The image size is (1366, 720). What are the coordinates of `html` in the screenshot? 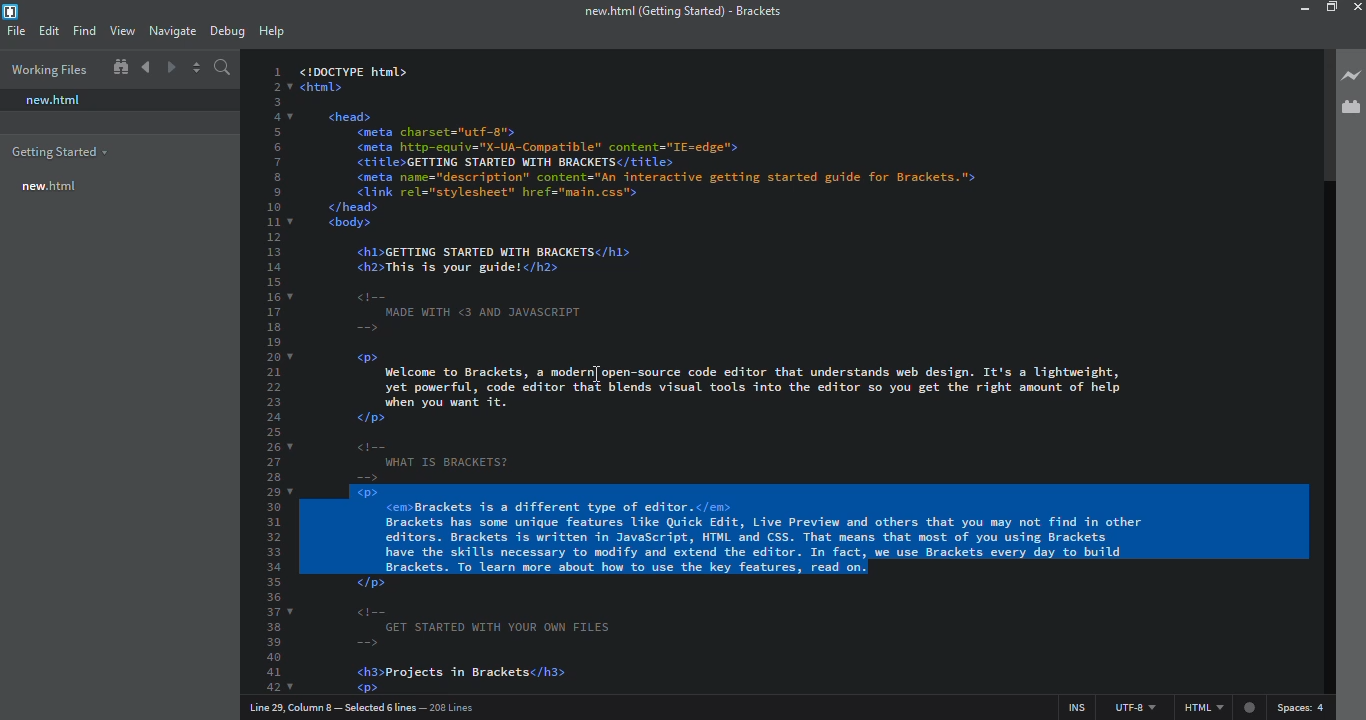 It's located at (1214, 706).